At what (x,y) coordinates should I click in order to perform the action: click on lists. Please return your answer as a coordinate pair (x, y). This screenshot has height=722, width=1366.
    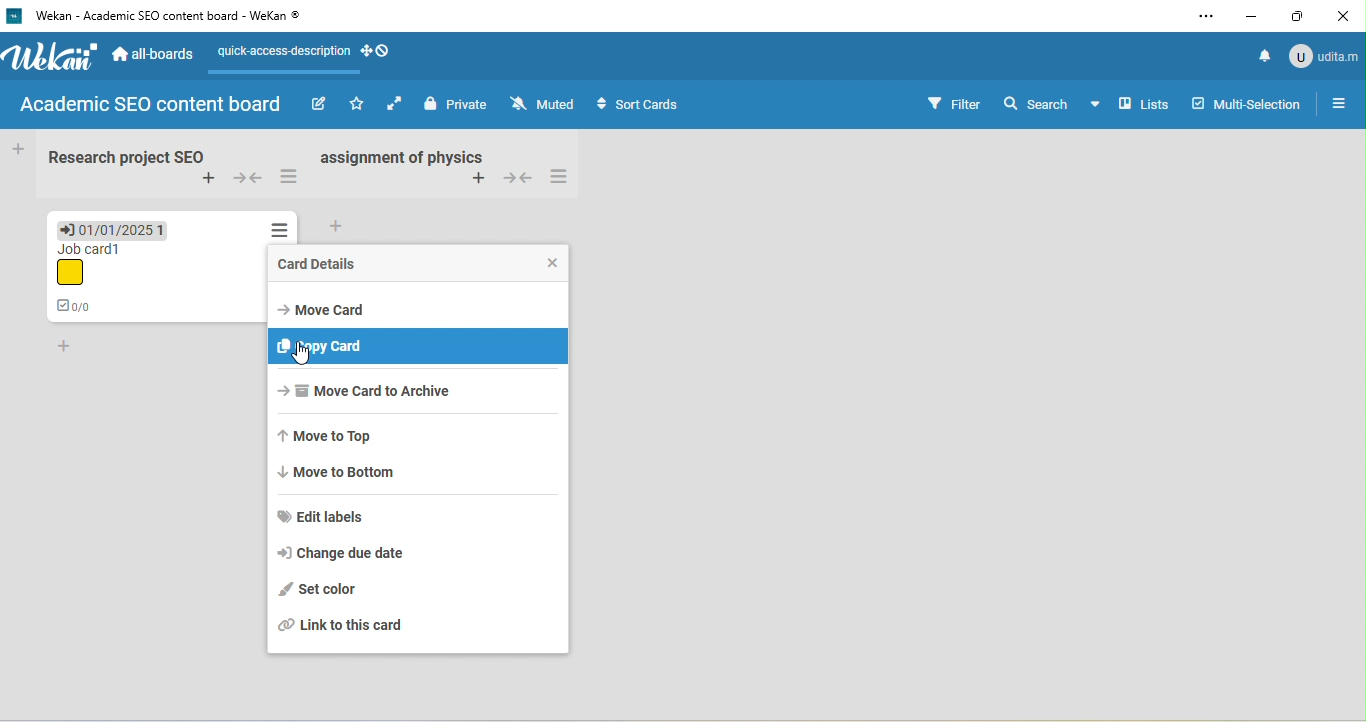
    Looking at the image, I should click on (1144, 105).